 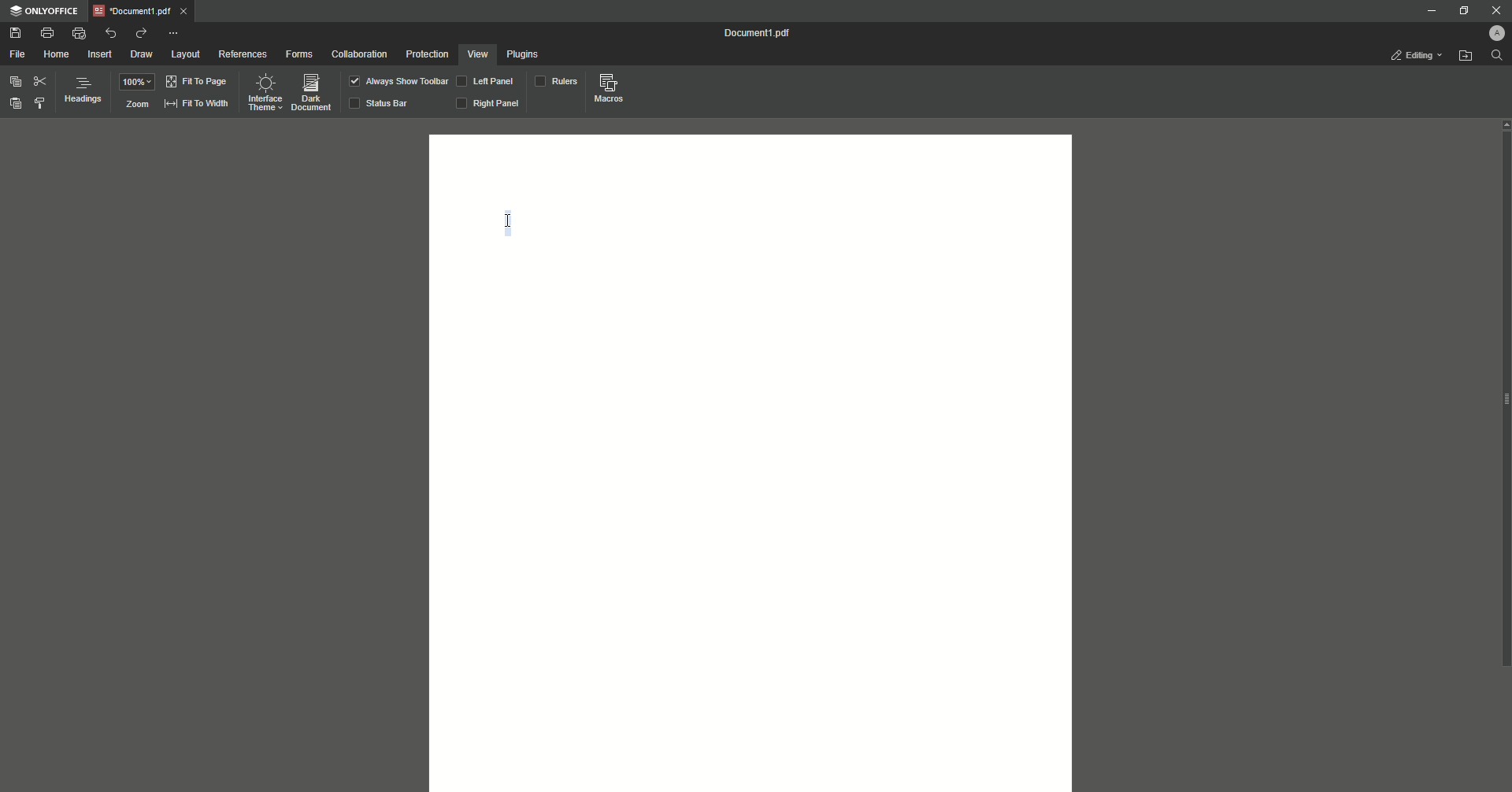 What do you see at coordinates (141, 12) in the screenshot?
I see `Document1.pdf` at bounding box center [141, 12].